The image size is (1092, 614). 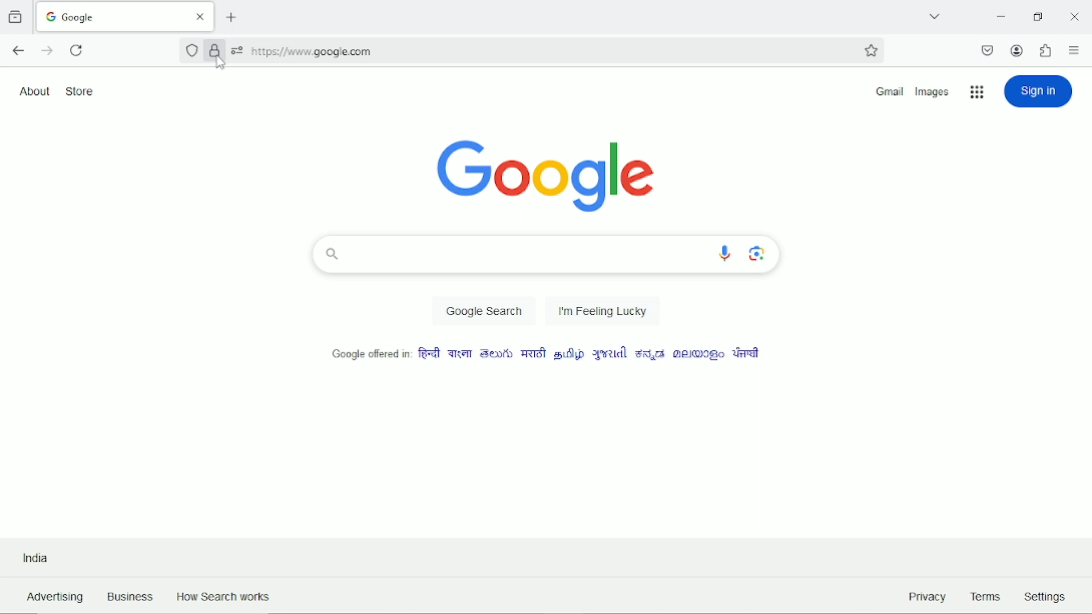 What do you see at coordinates (935, 92) in the screenshot?
I see `Images` at bounding box center [935, 92].